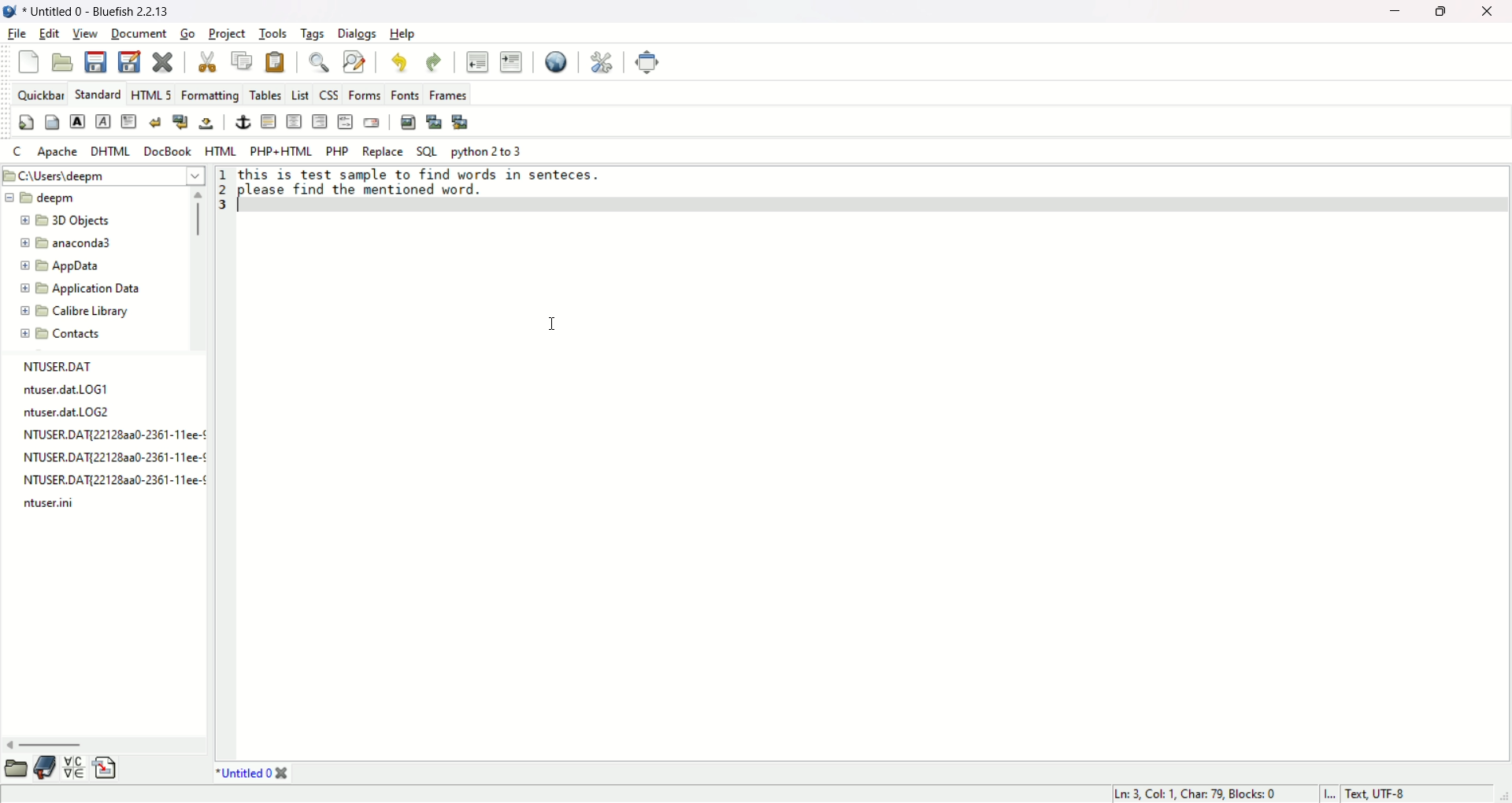  What do you see at coordinates (50, 32) in the screenshot?
I see `edit` at bounding box center [50, 32].